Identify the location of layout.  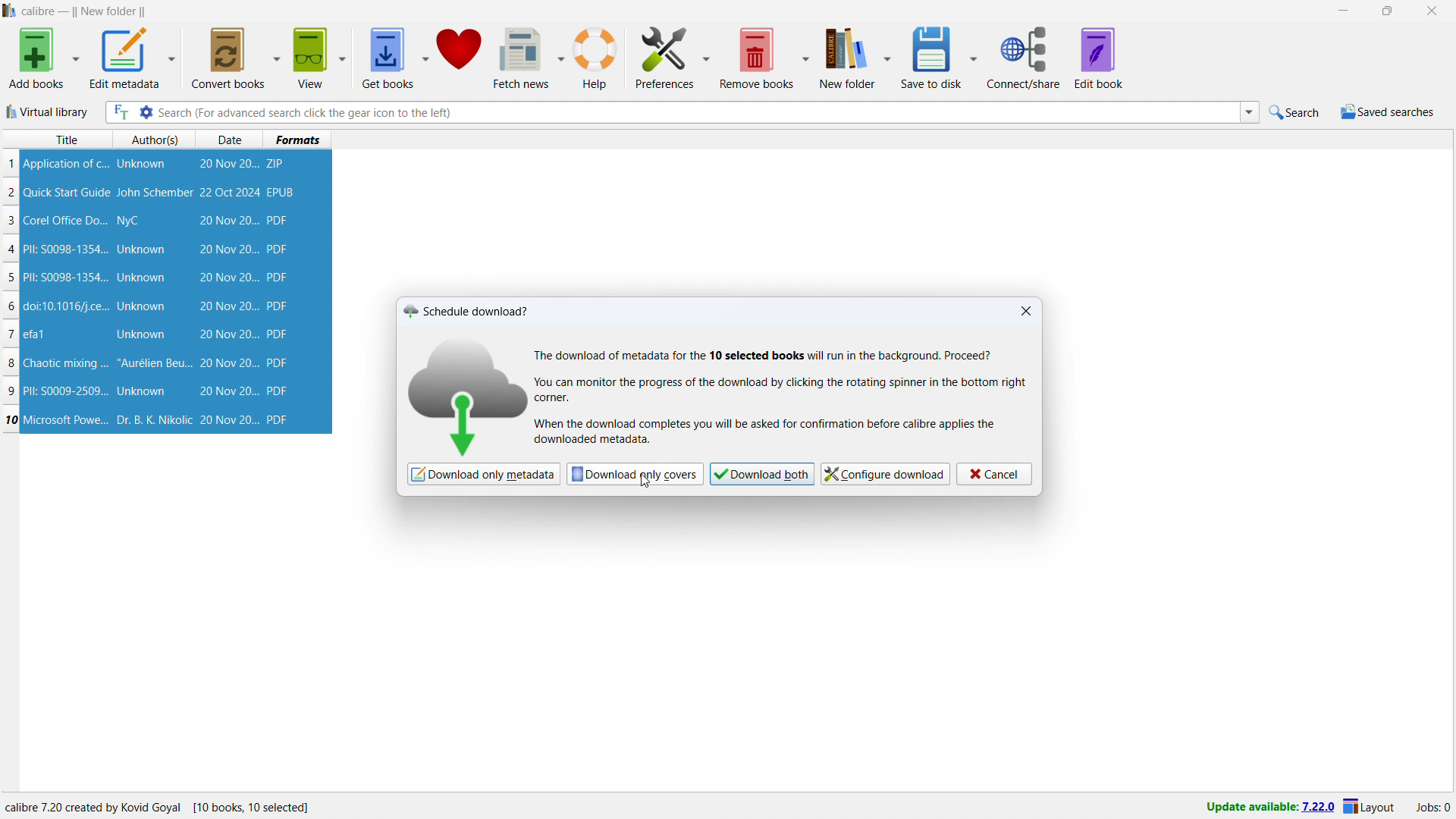
(1370, 808).